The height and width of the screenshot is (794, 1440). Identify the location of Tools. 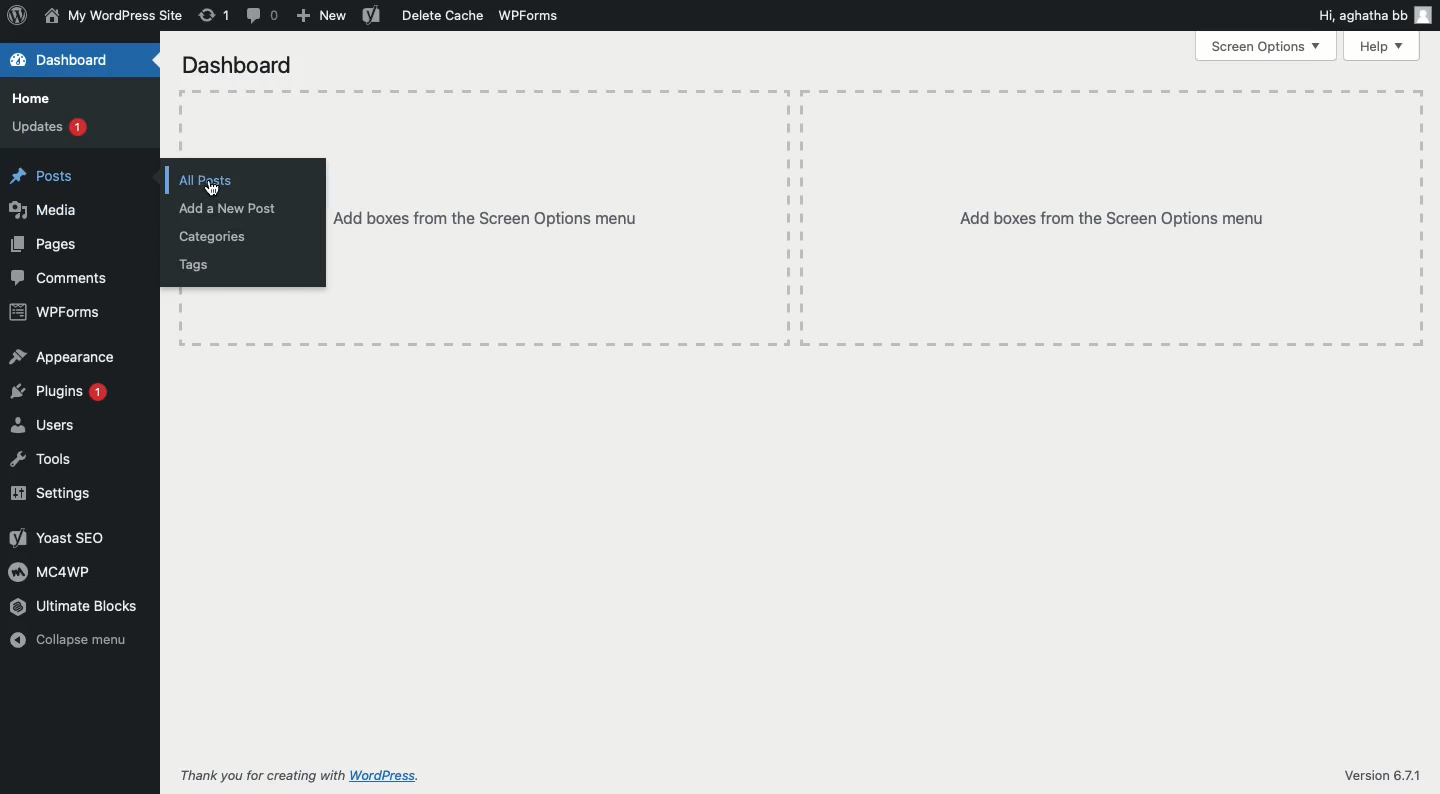
(60, 460).